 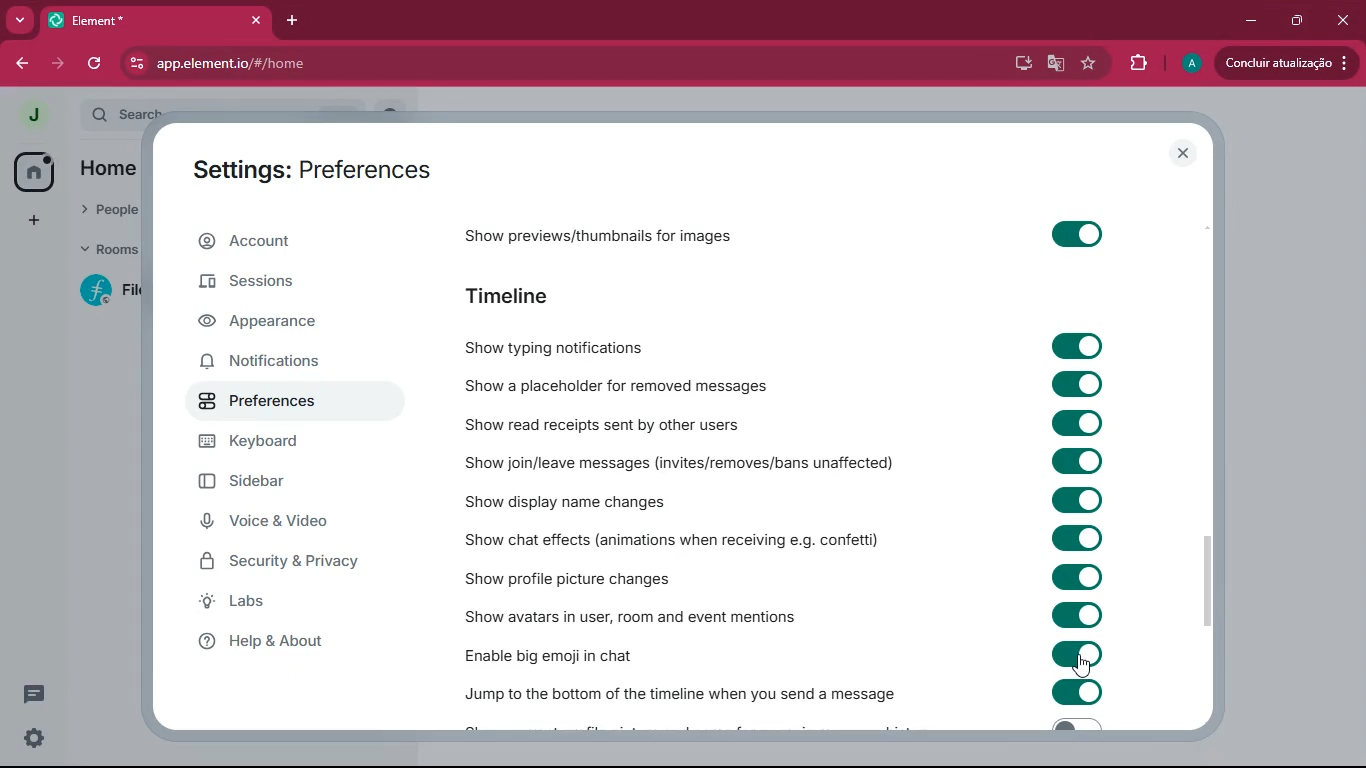 What do you see at coordinates (19, 63) in the screenshot?
I see `back` at bounding box center [19, 63].